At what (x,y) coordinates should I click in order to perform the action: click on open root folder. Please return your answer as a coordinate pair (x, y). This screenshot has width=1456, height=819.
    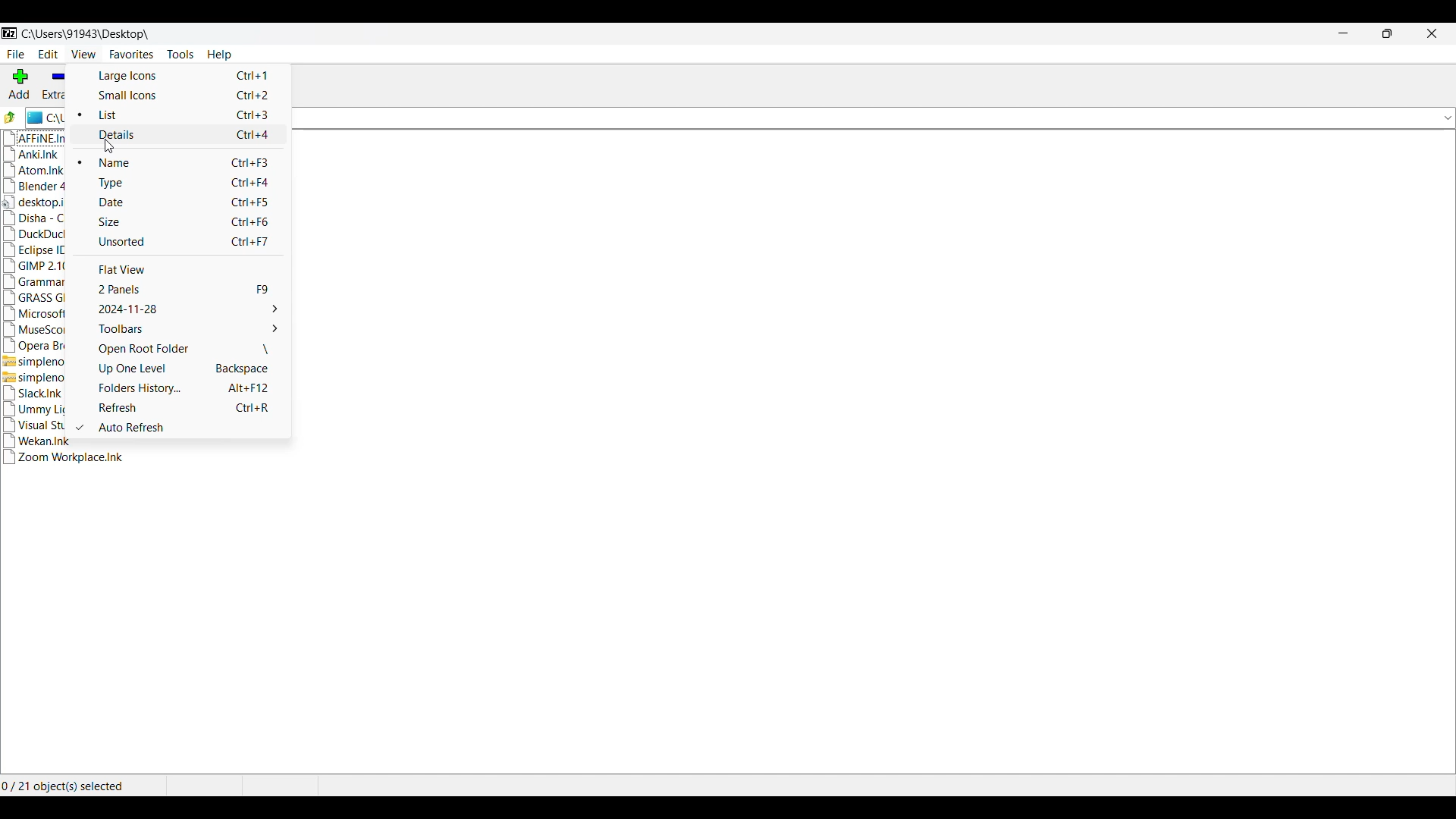
    Looking at the image, I should click on (189, 350).